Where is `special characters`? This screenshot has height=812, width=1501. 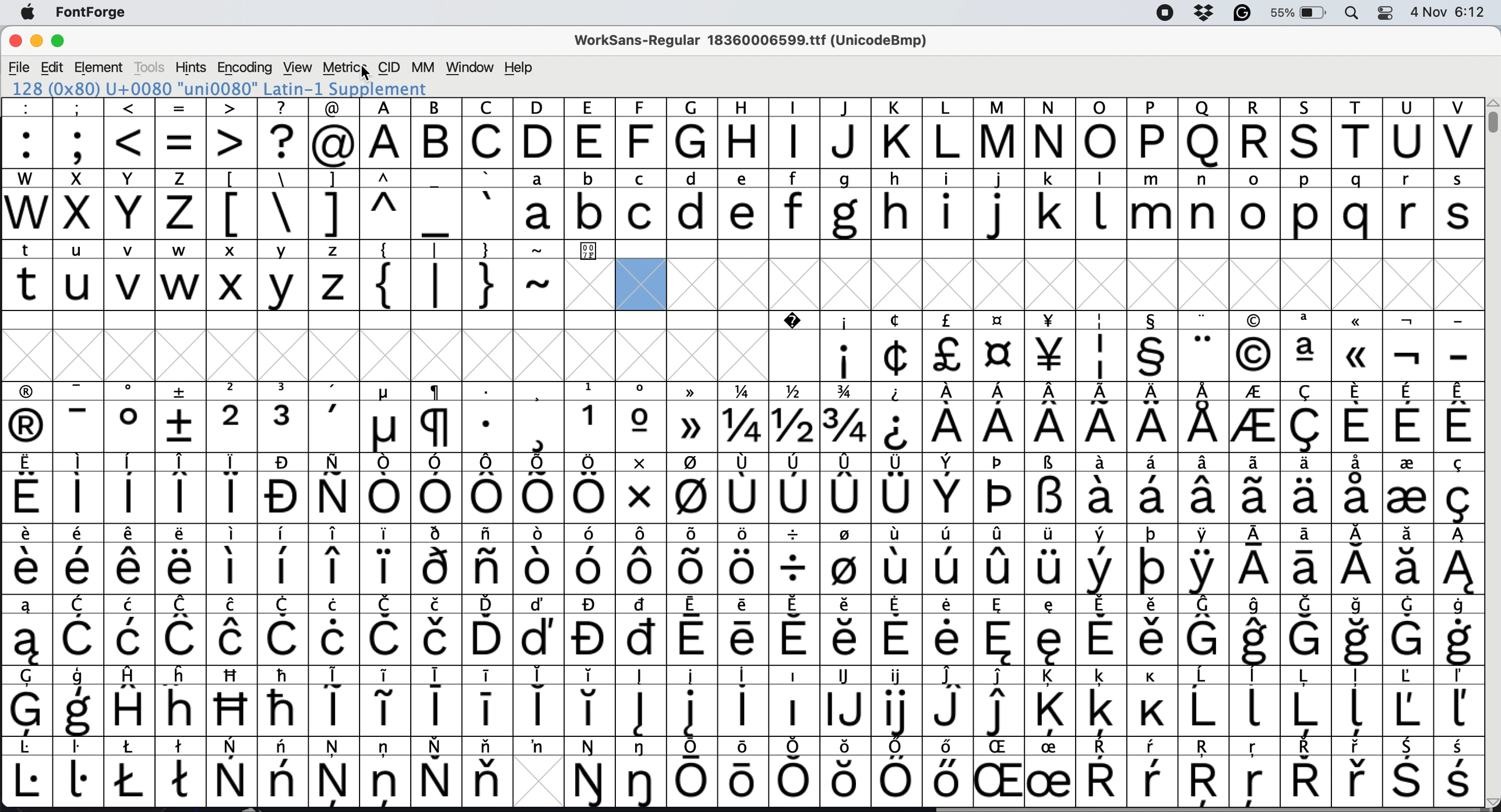 special characters is located at coordinates (1119, 321).